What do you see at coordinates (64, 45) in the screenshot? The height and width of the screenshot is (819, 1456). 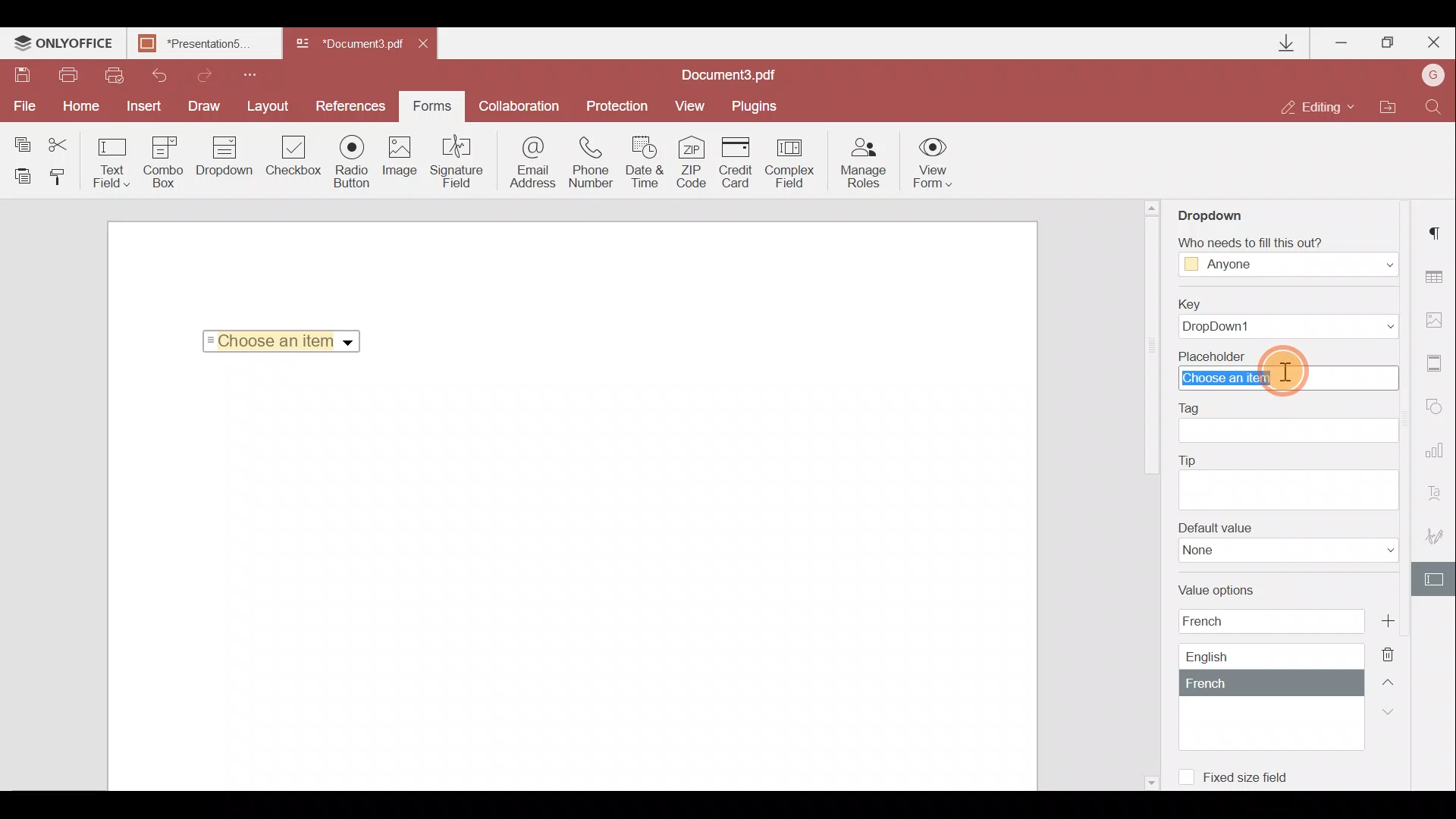 I see `ONLYOFFICE` at bounding box center [64, 45].